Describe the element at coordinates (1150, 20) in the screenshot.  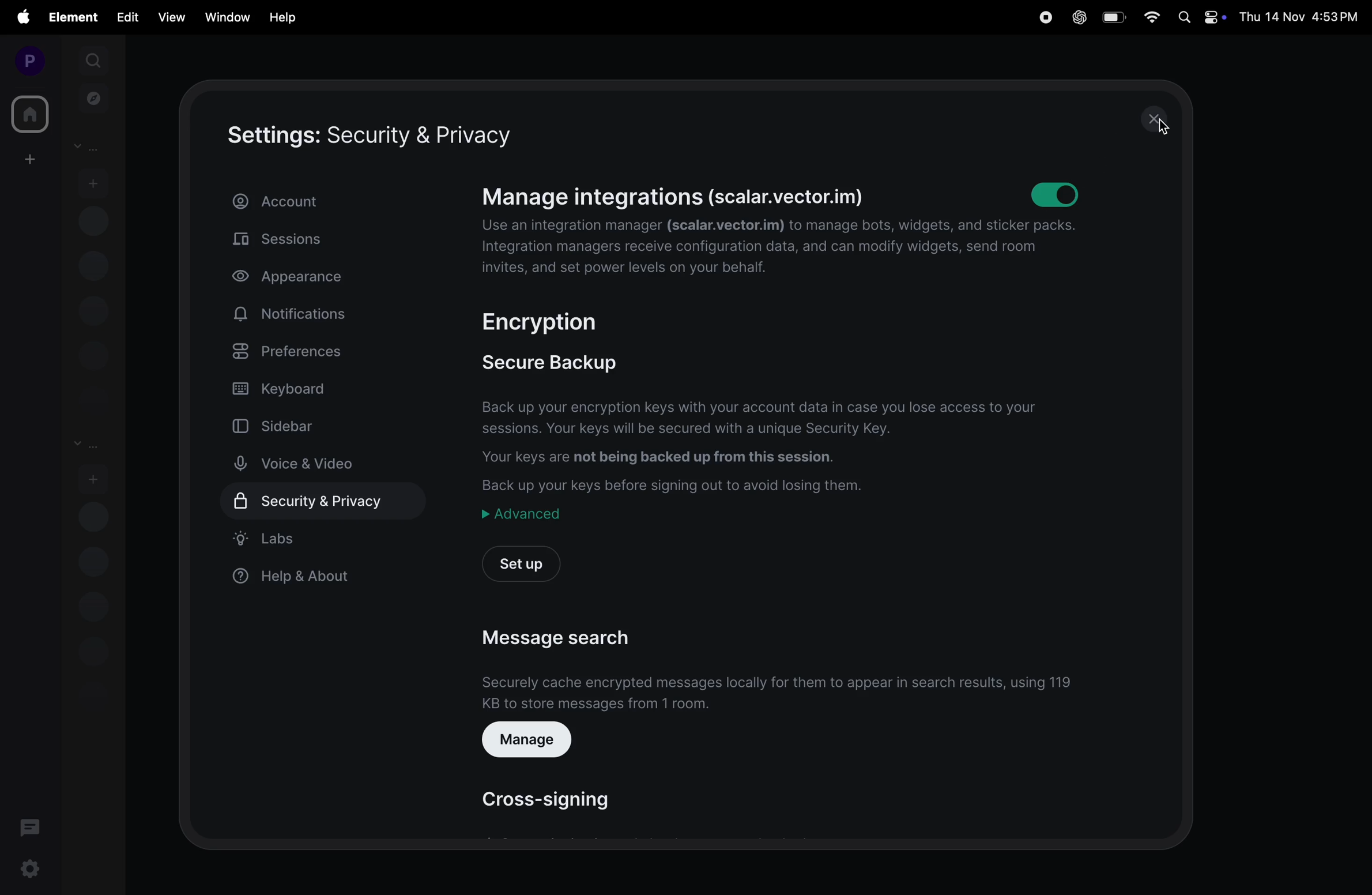
I see `wifi` at that location.